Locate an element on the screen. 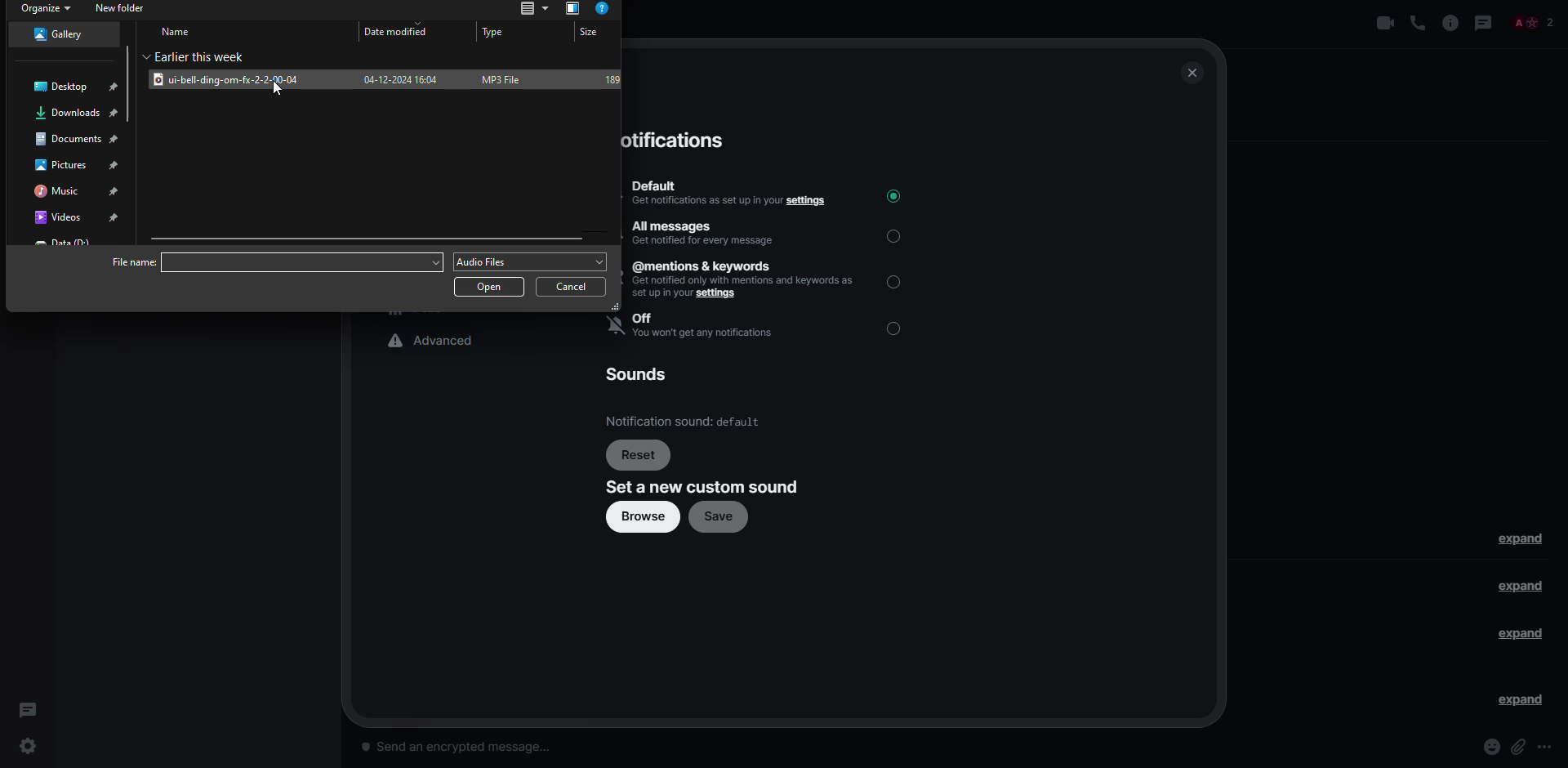 Image resolution: width=1568 pixels, height=768 pixels. Date modified is located at coordinates (396, 32).